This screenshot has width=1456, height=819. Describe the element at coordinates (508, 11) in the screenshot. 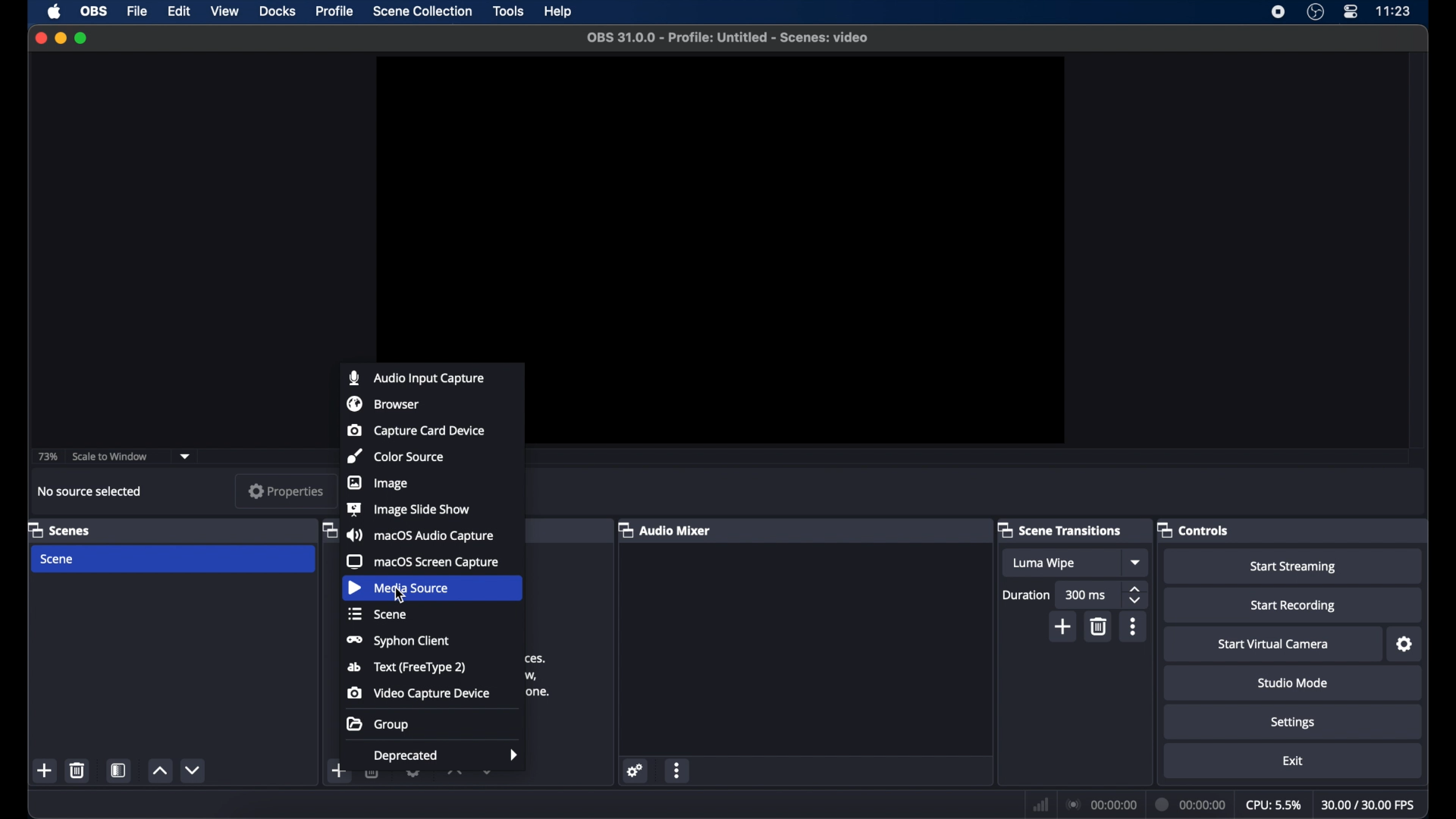

I see `tools` at that location.